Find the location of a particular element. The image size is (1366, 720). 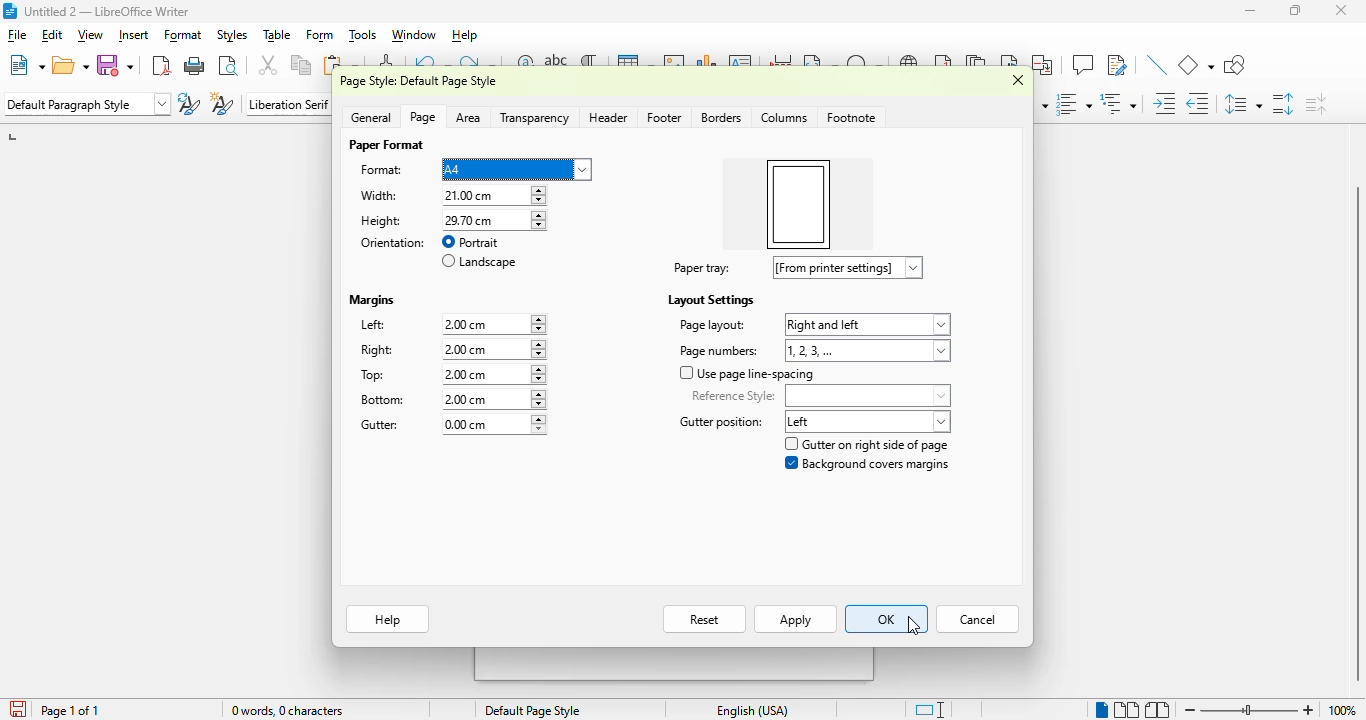

orientation is located at coordinates (393, 243).